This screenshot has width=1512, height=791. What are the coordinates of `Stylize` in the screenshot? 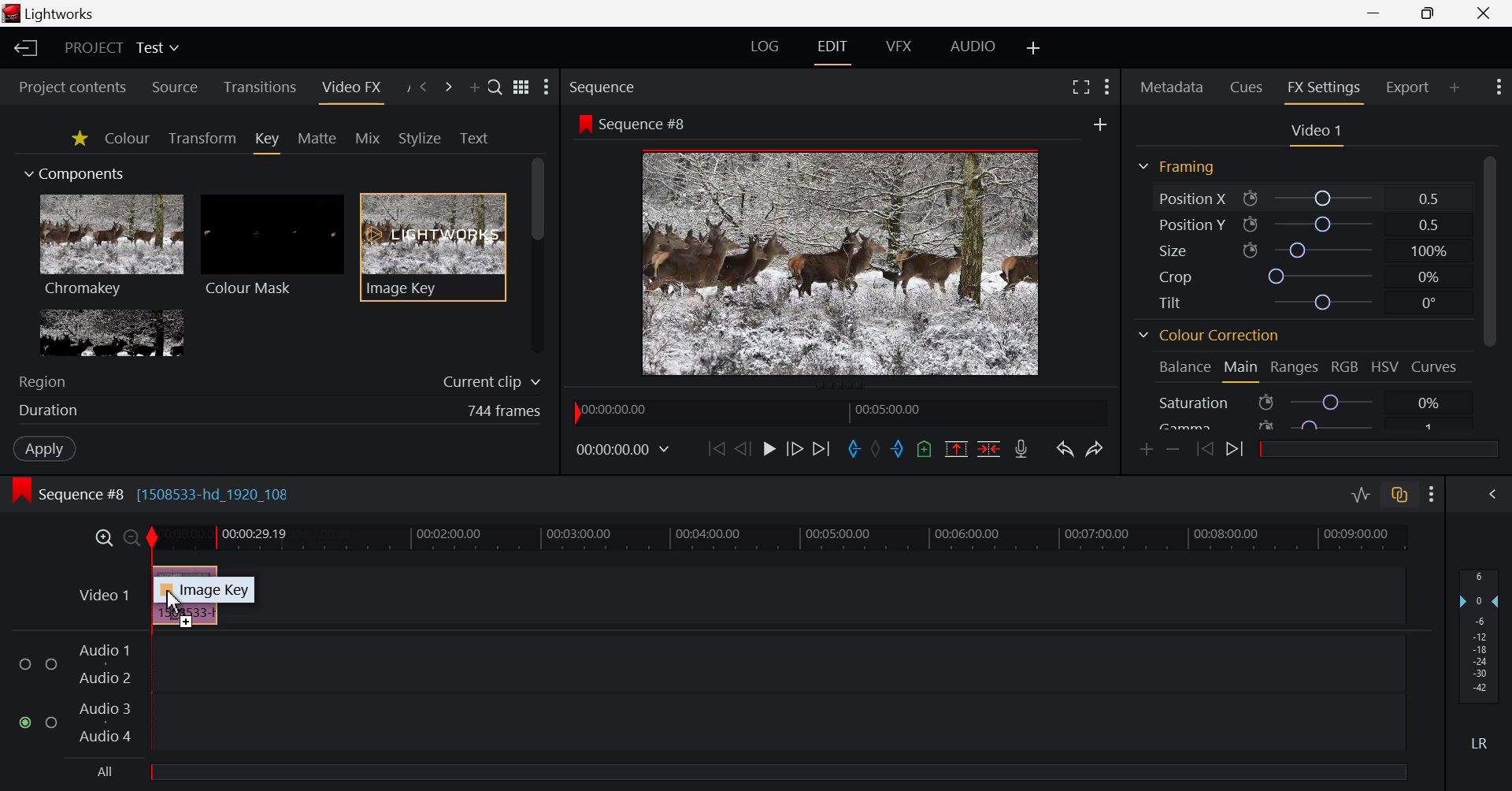 It's located at (419, 137).